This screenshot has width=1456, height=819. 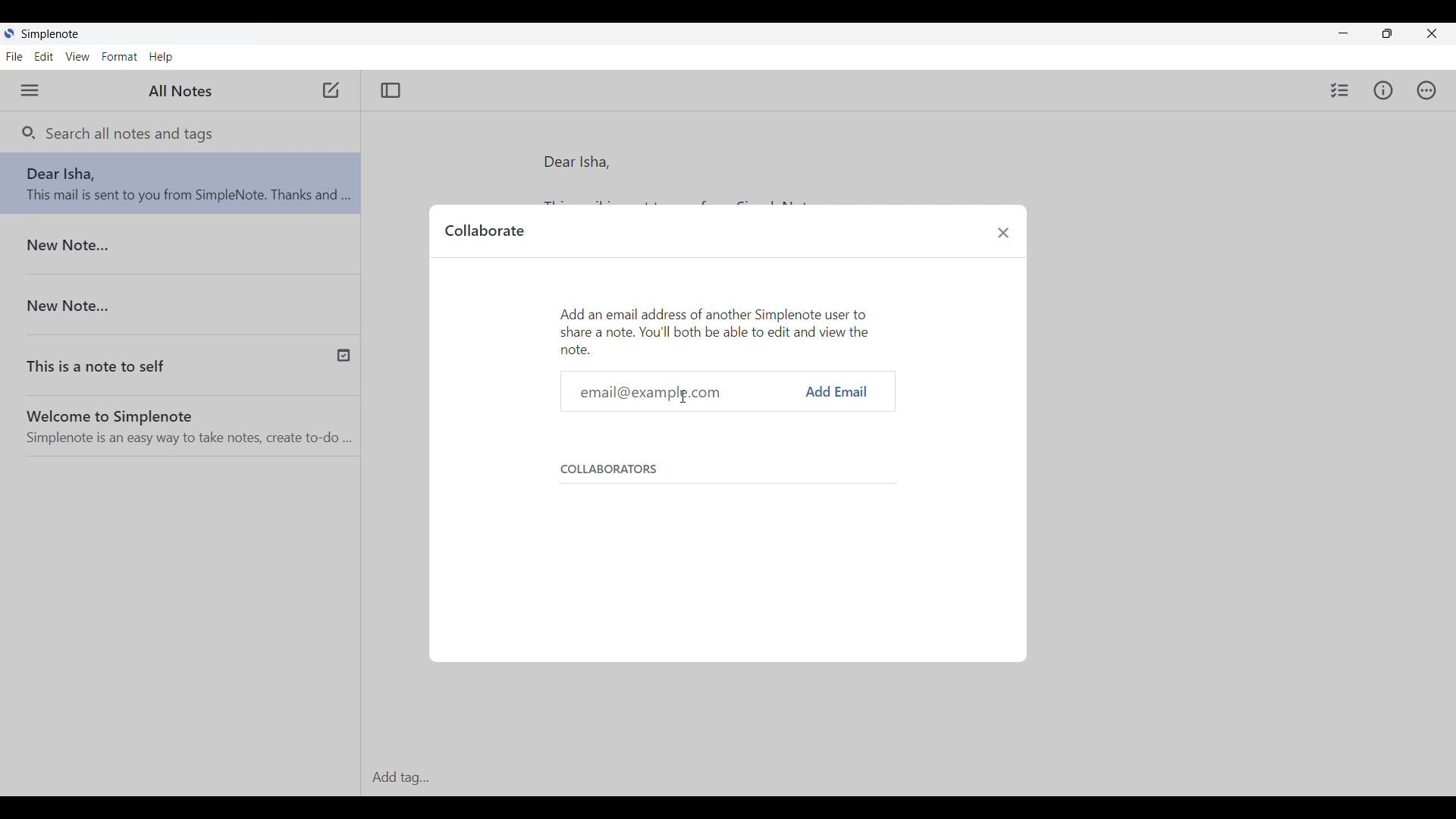 What do you see at coordinates (330, 90) in the screenshot?
I see `Click to add new note` at bounding box center [330, 90].